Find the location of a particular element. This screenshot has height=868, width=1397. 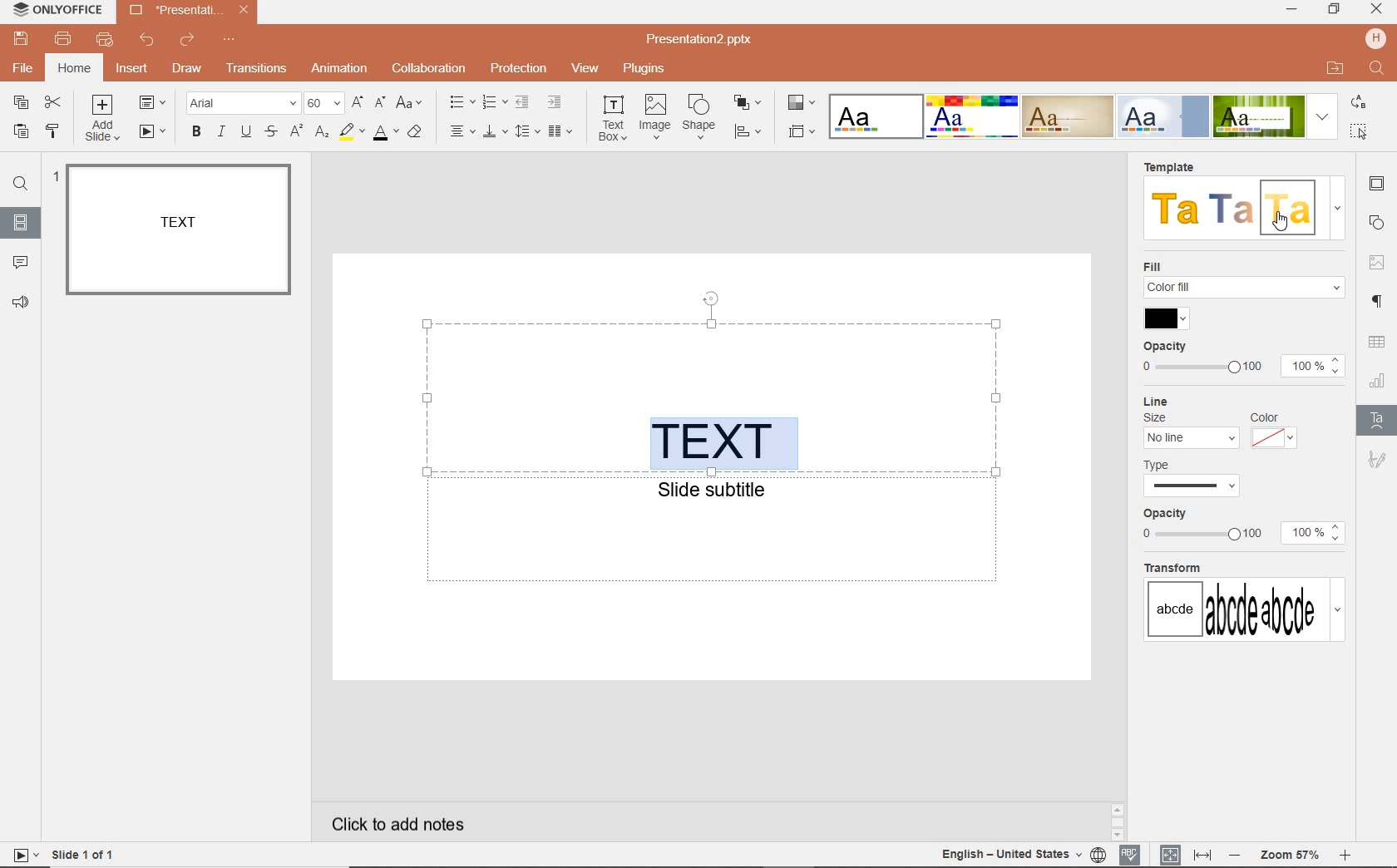

BULLETS is located at coordinates (462, 102).